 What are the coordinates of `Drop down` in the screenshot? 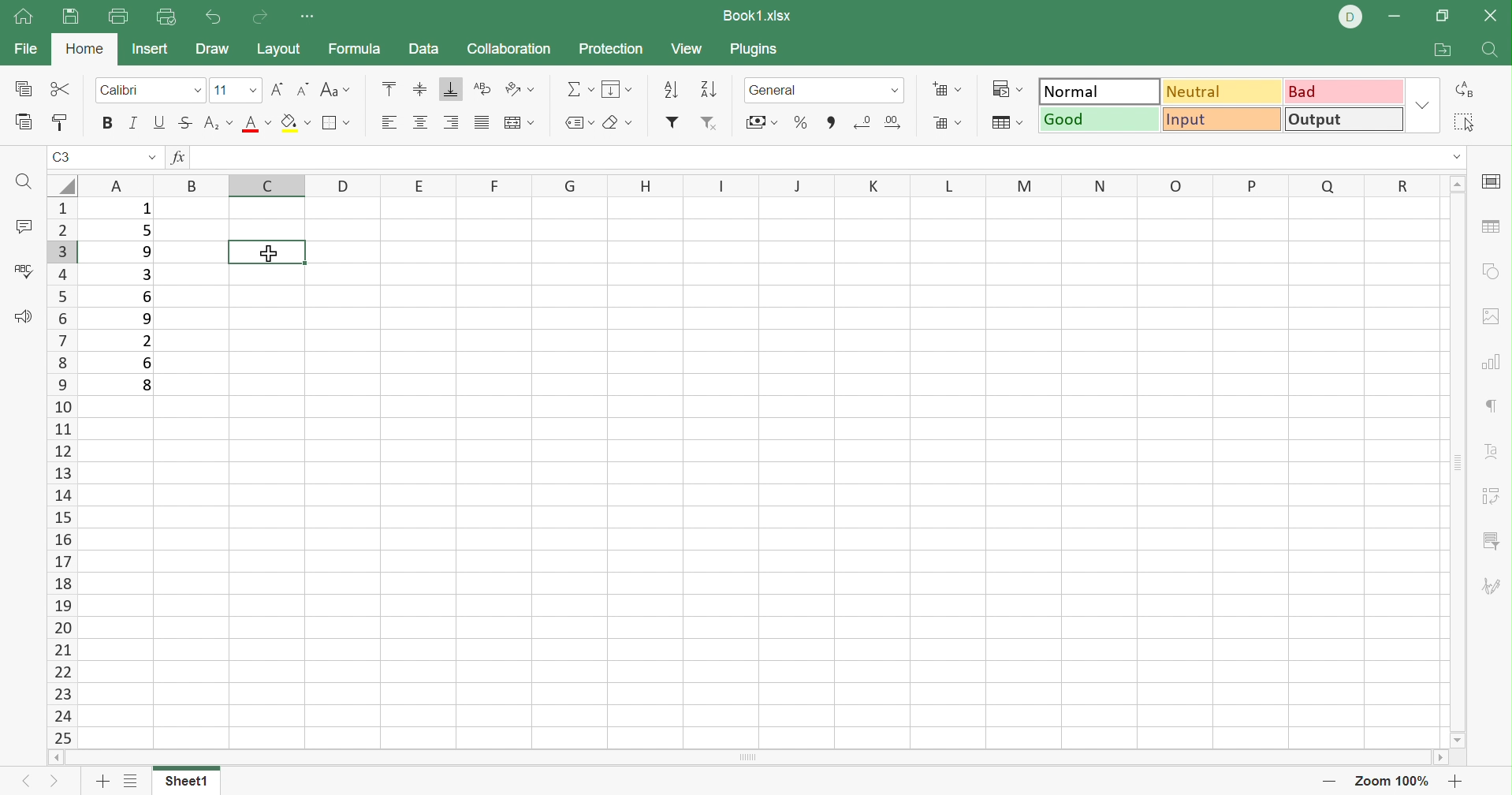 It's located at (897, 90).